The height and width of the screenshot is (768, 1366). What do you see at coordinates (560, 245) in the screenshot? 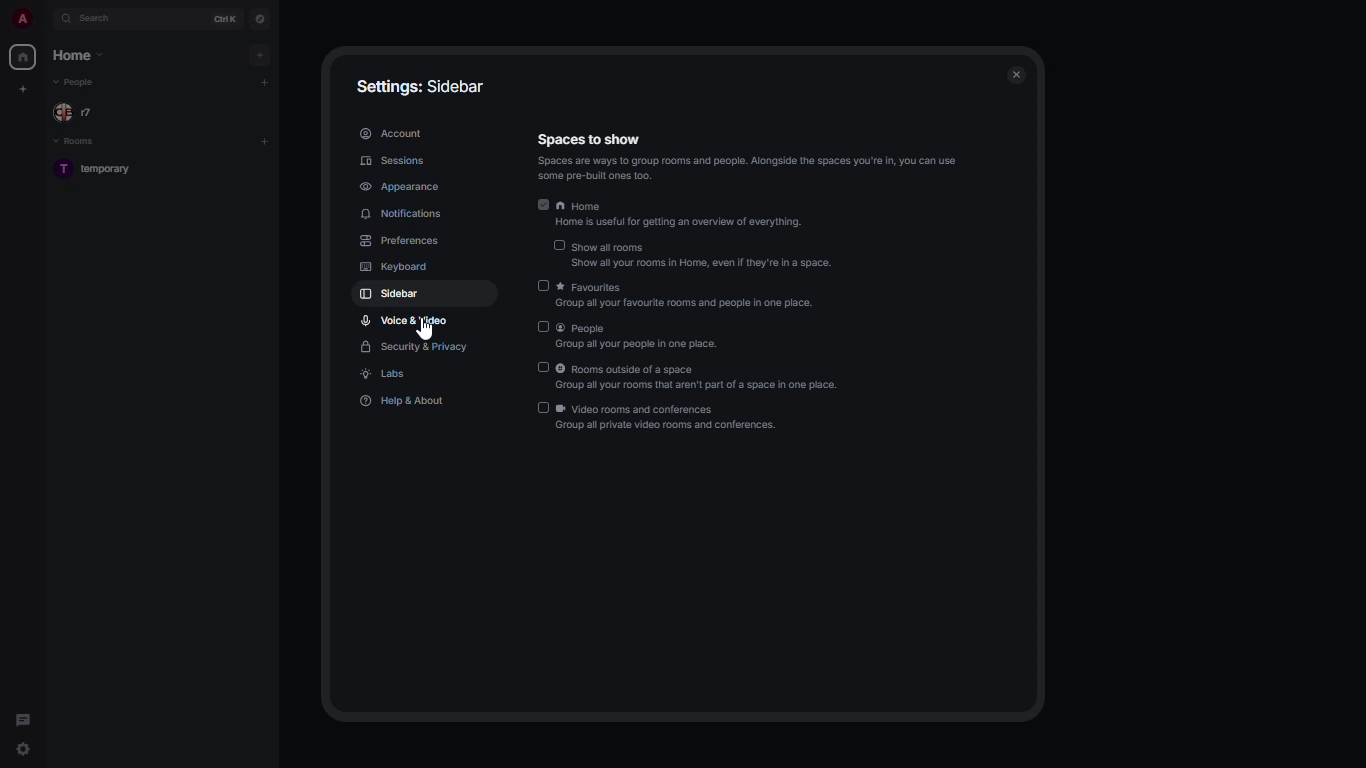
I see `disabled` at bounding box center [560, 245].